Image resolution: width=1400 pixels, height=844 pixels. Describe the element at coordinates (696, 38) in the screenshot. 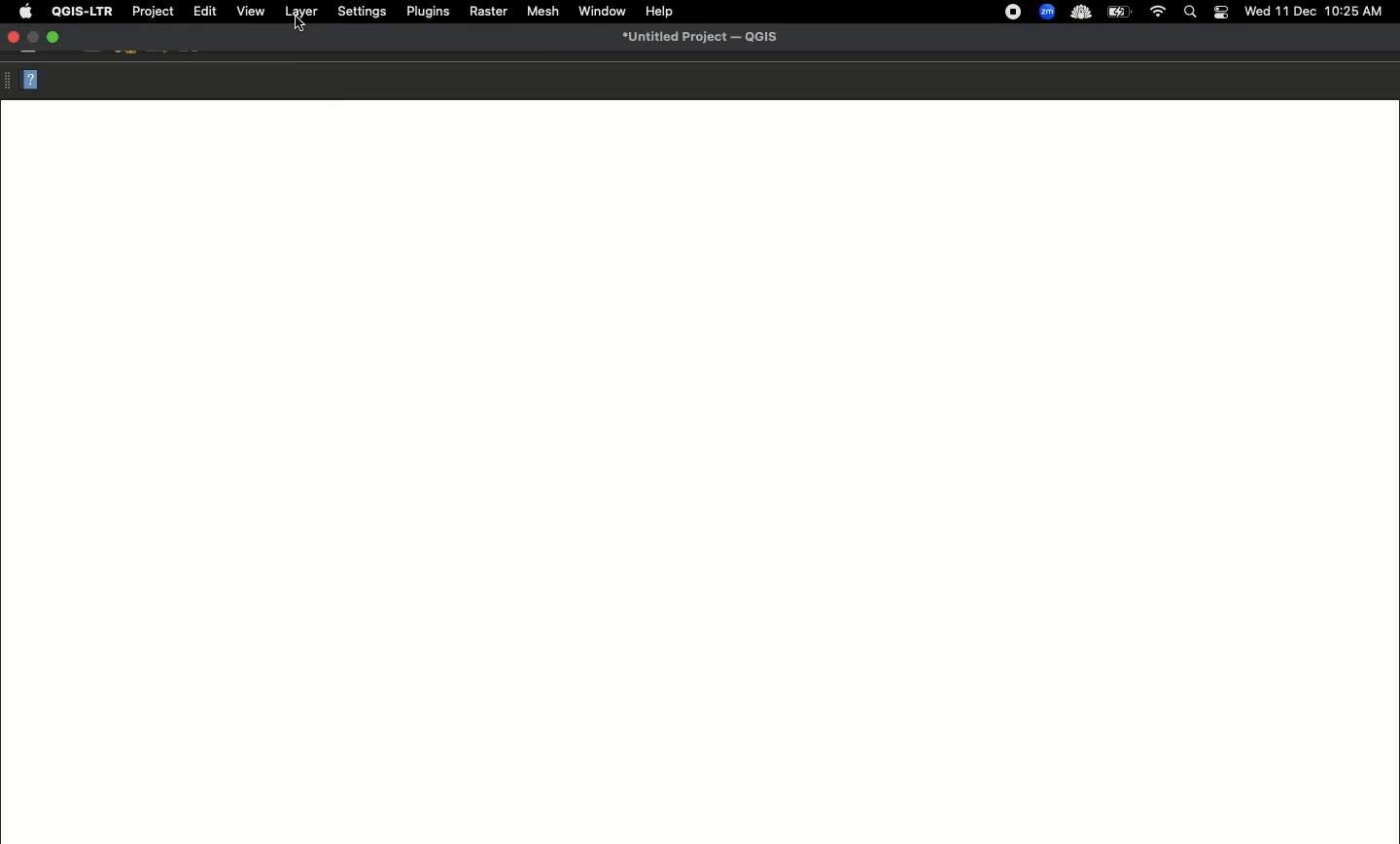

I see `Untitled project` at that location.